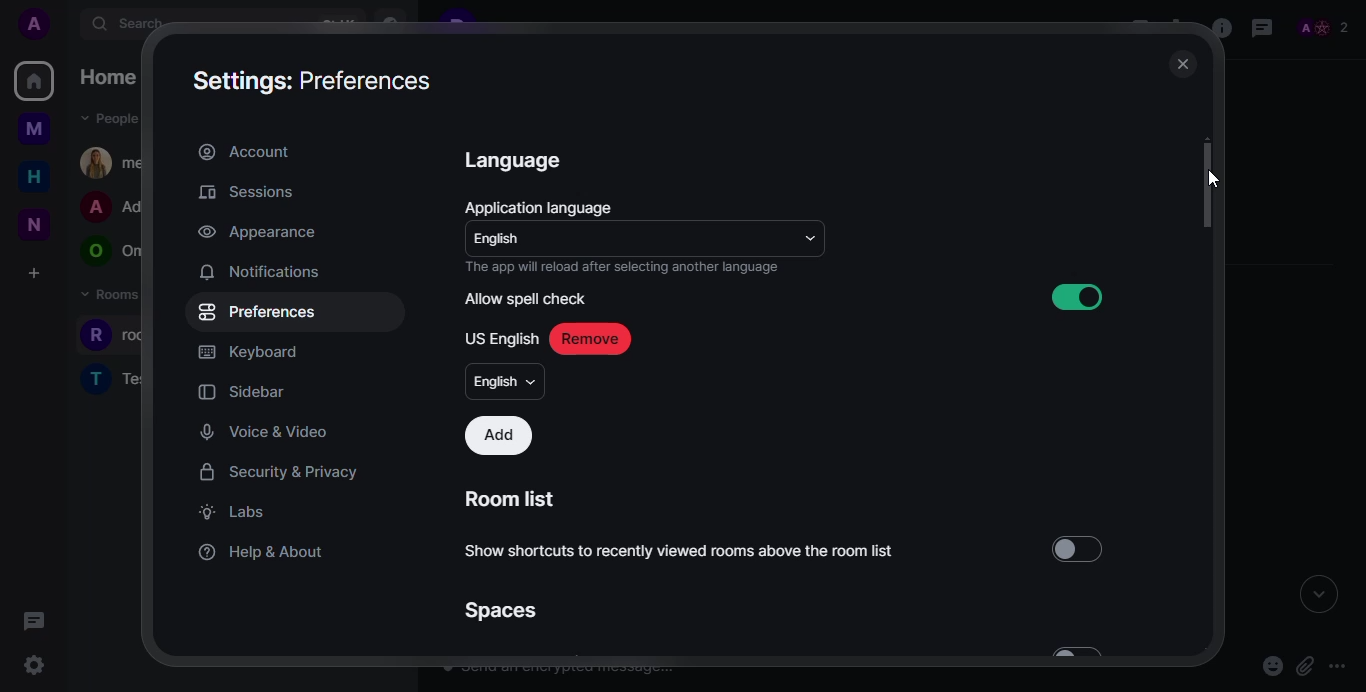  I want to click on sessions, so click(246, 192).